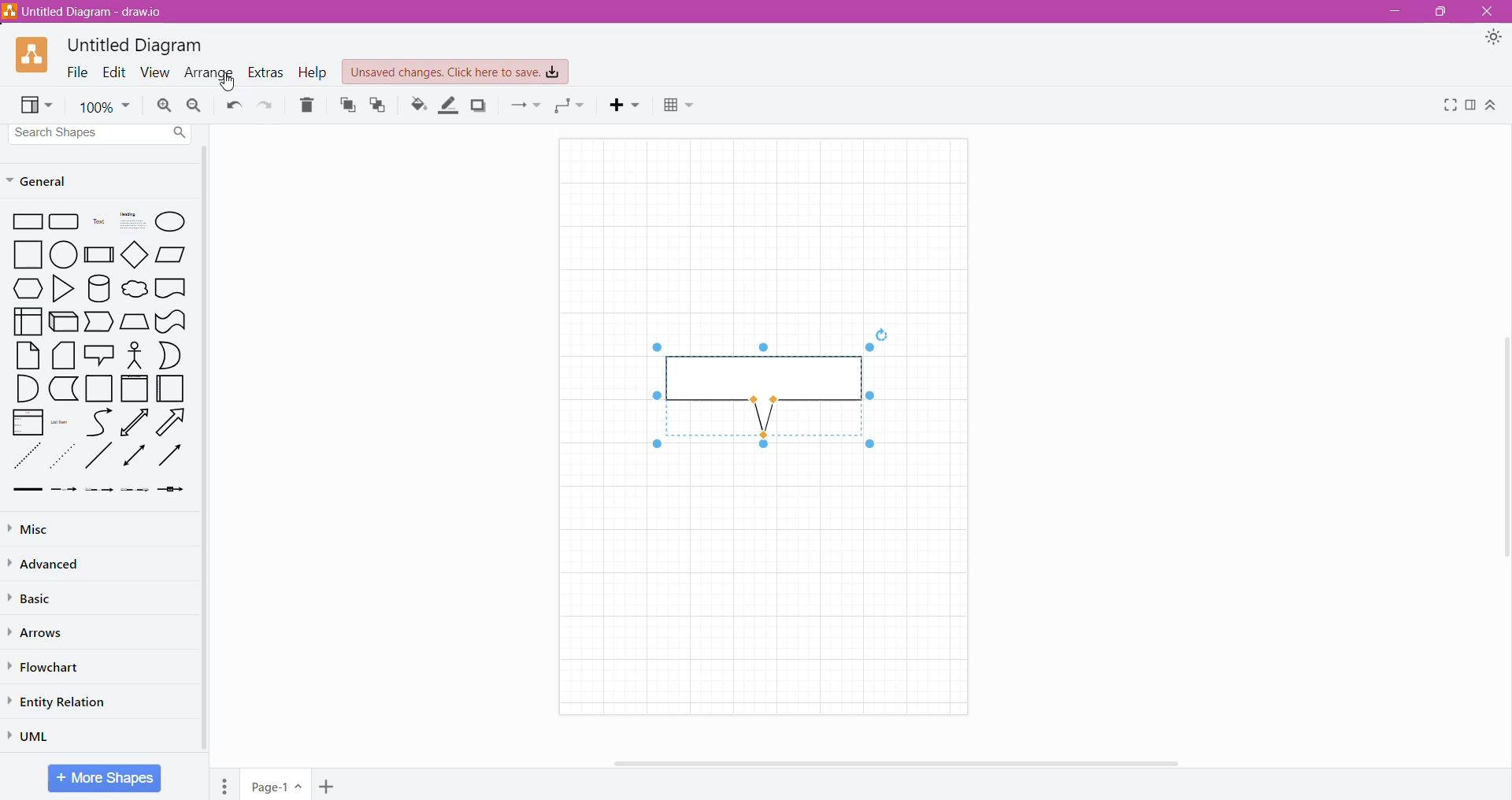 The width and height of the screenshot is (1512, 800). Describe the element at coordinates (172, 221) in the screenshot. I see `Ellipse` at that location.